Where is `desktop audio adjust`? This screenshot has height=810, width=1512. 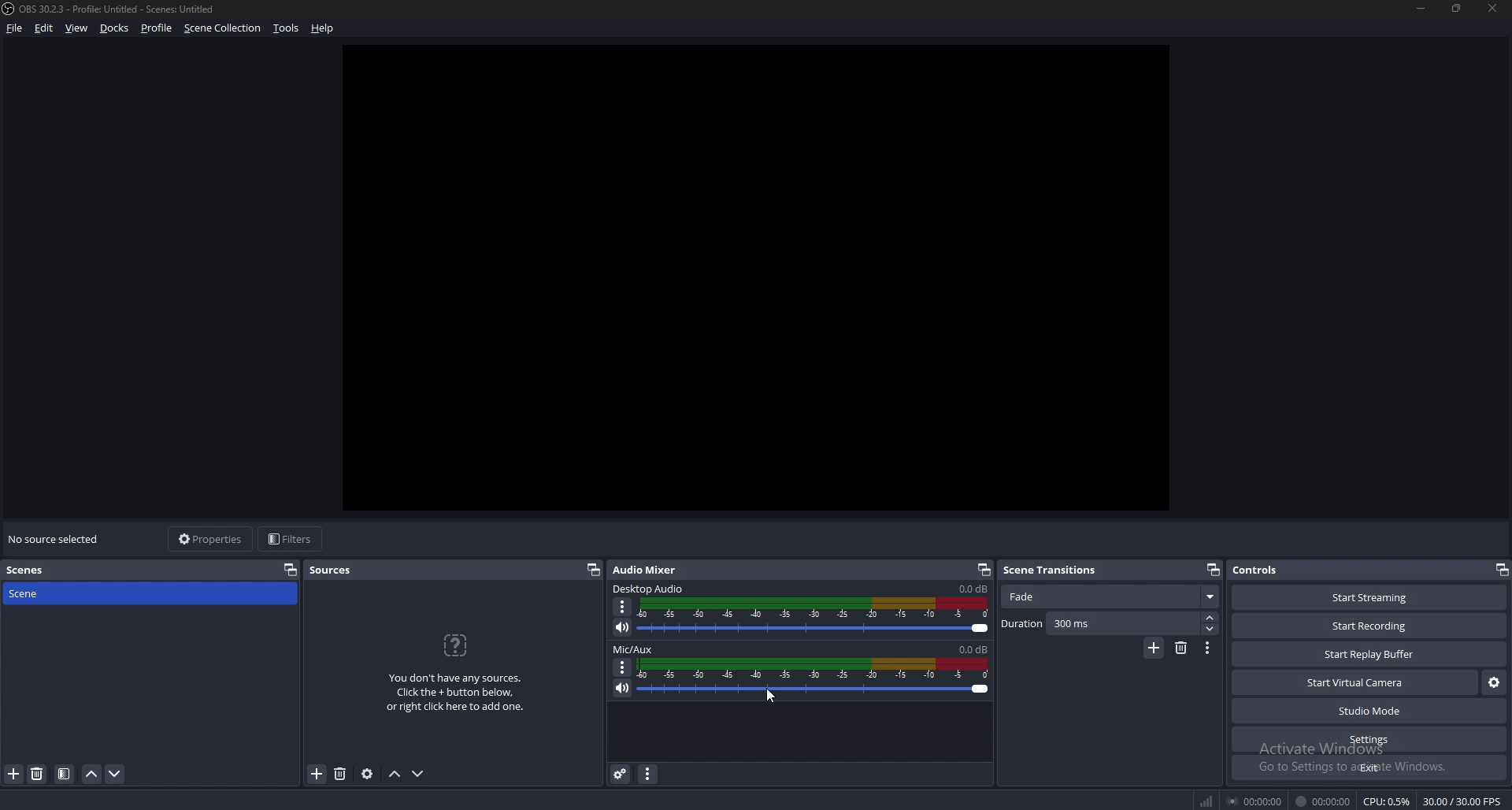 desktop audio adjust is located at coordinates (817, 616).